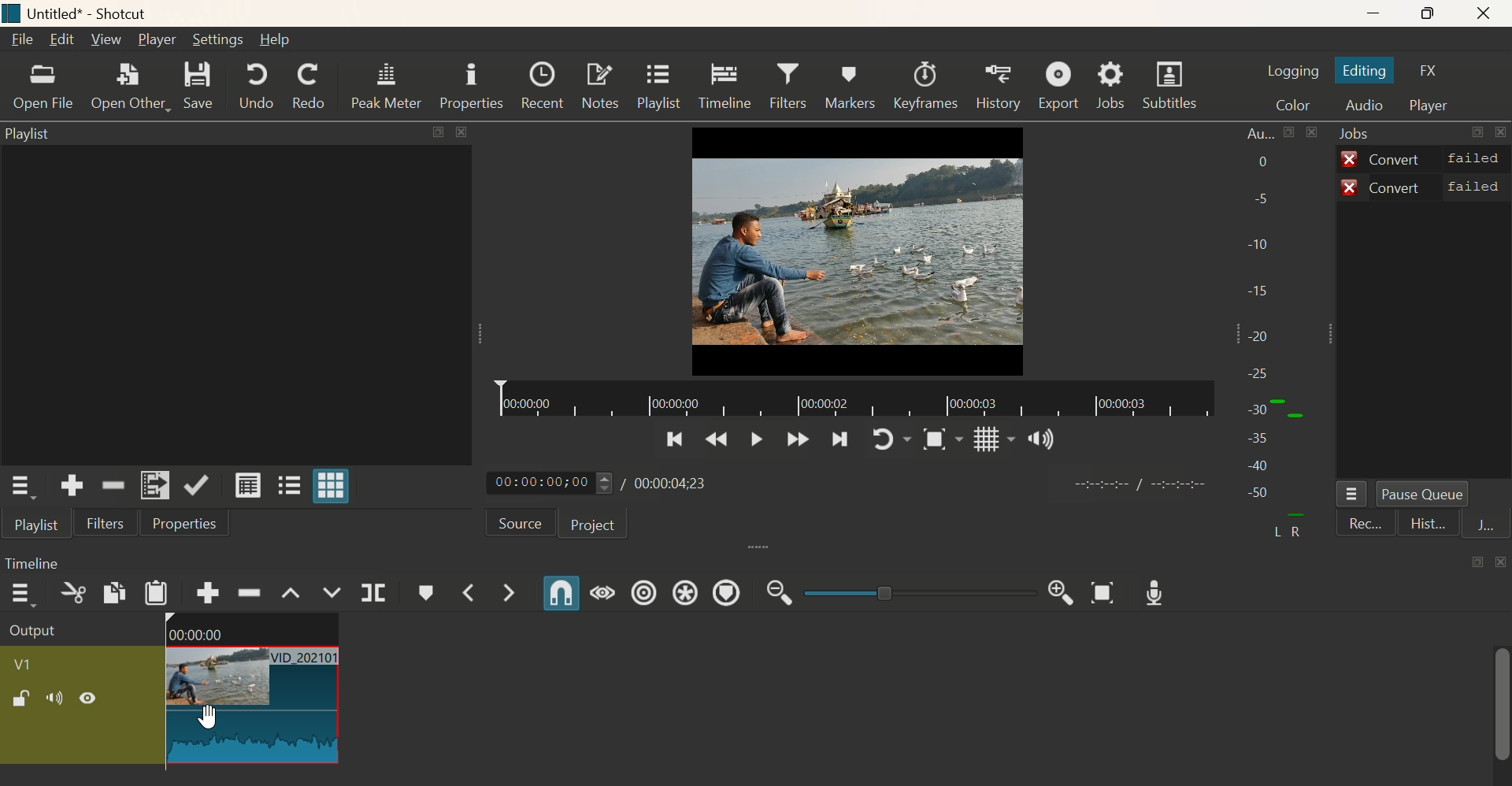  Describe the element at coordinates (221, 40) in the screenshot. I see `Setting` at that location.